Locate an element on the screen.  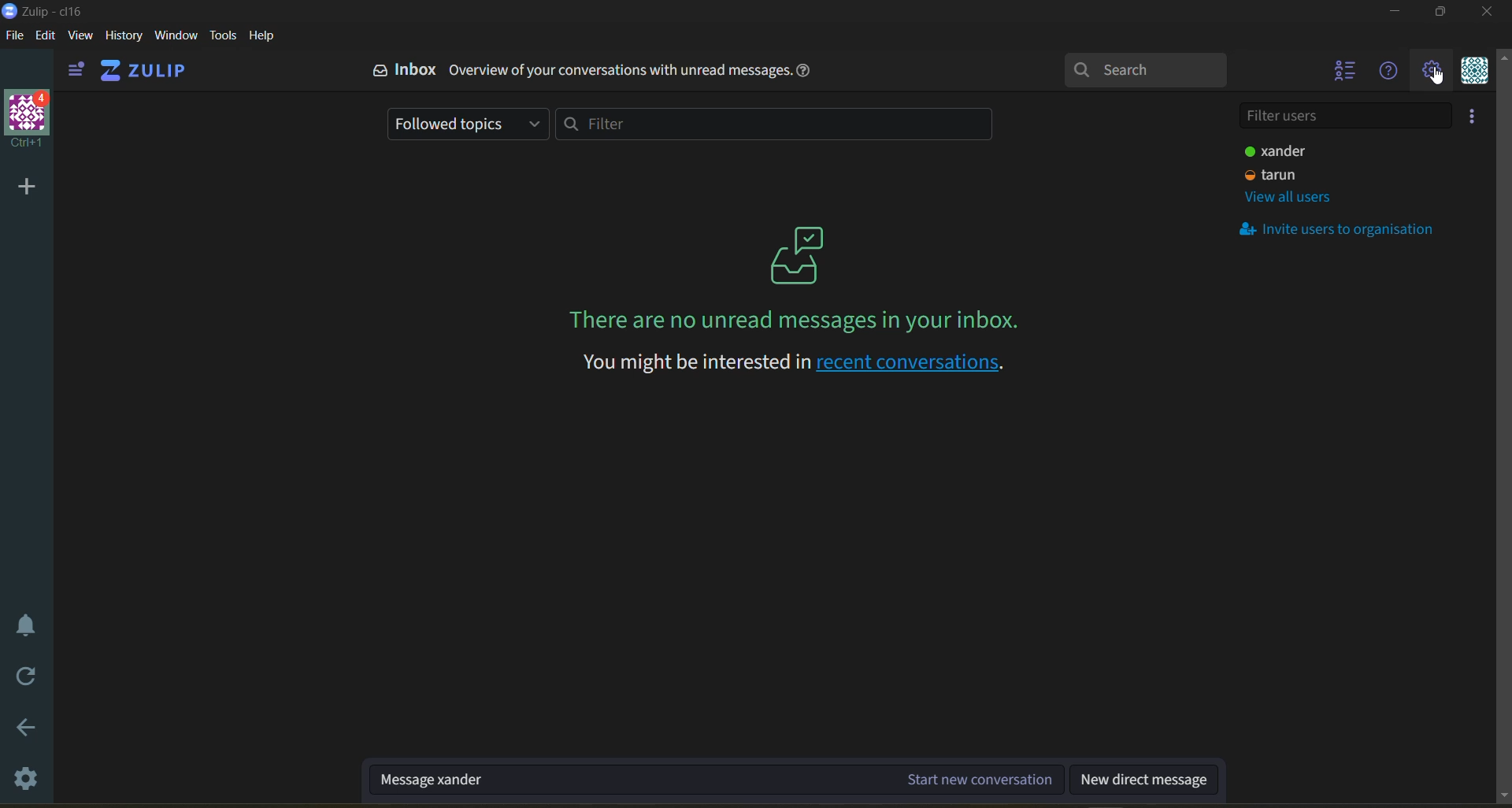
Overview of your conversations with unread messages. is located at coordinates (621, 70).